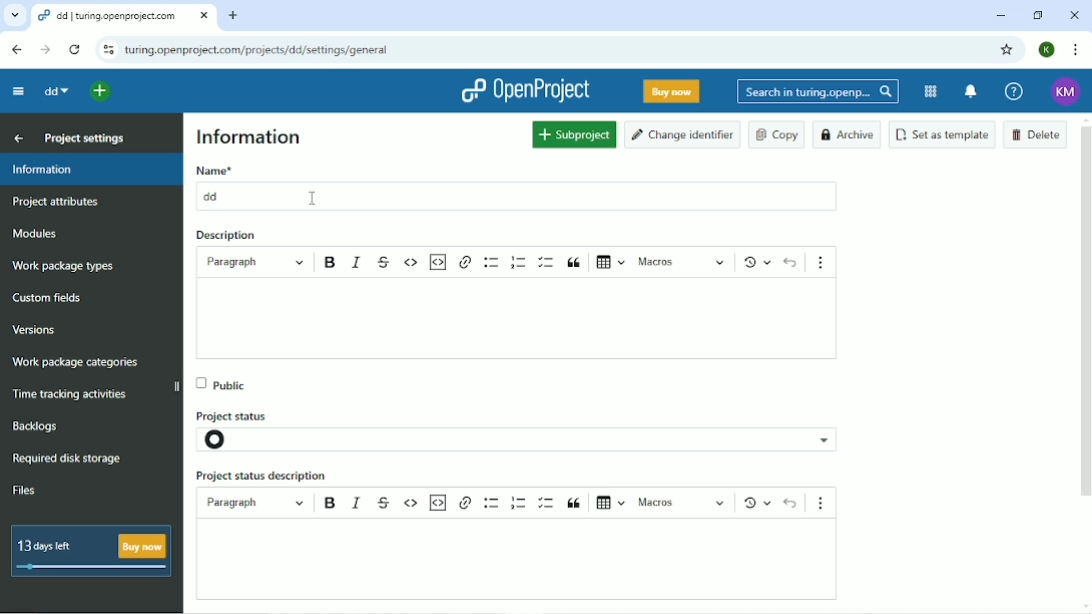  What do you see at coordinates (1068, 90) in the screenshot?
I see `KM` at bounding box center [1068, 90].